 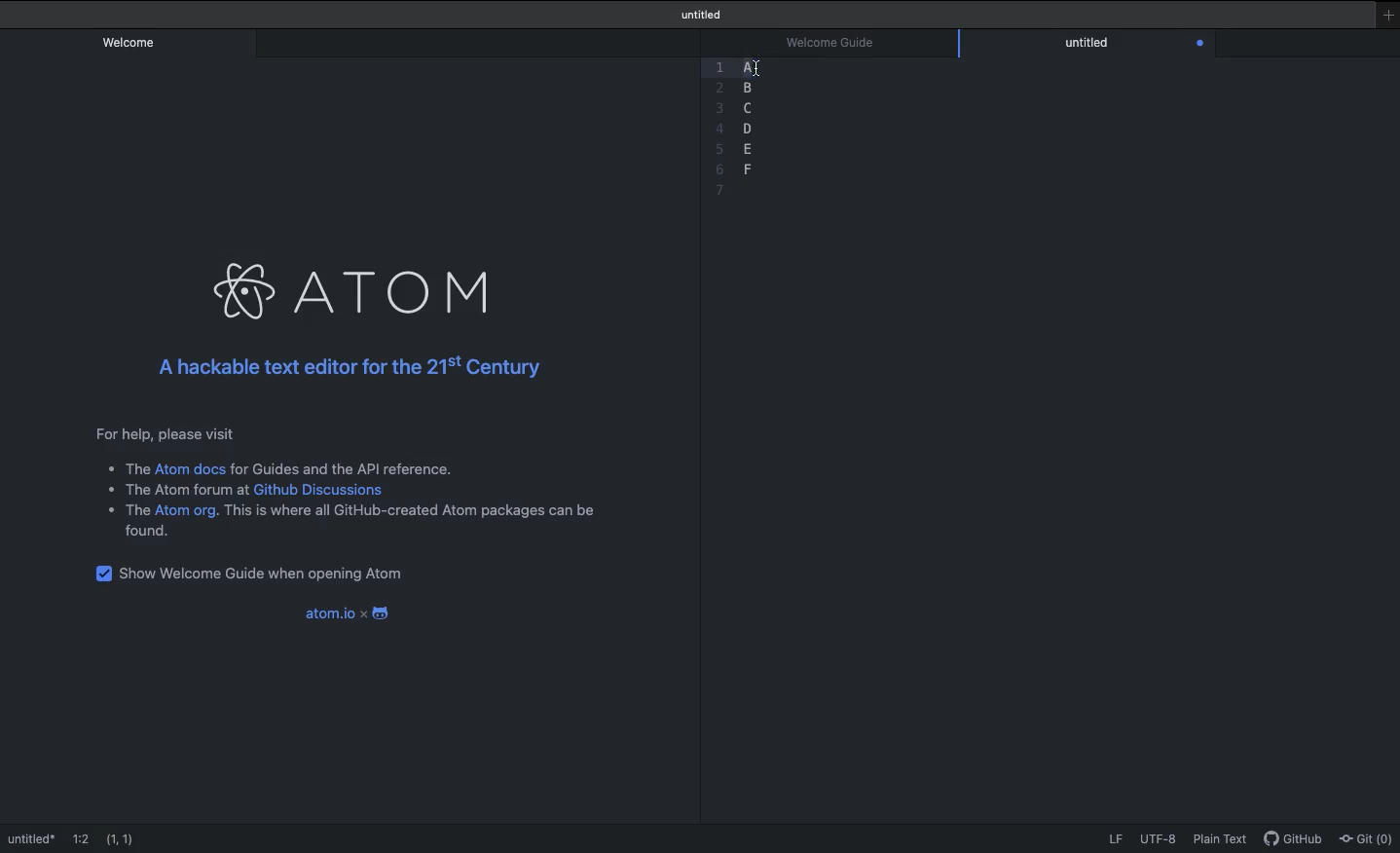 What do you see at coordinates (748, 167) in the screenshot?
I see `f` at bounding box center [748, 167].